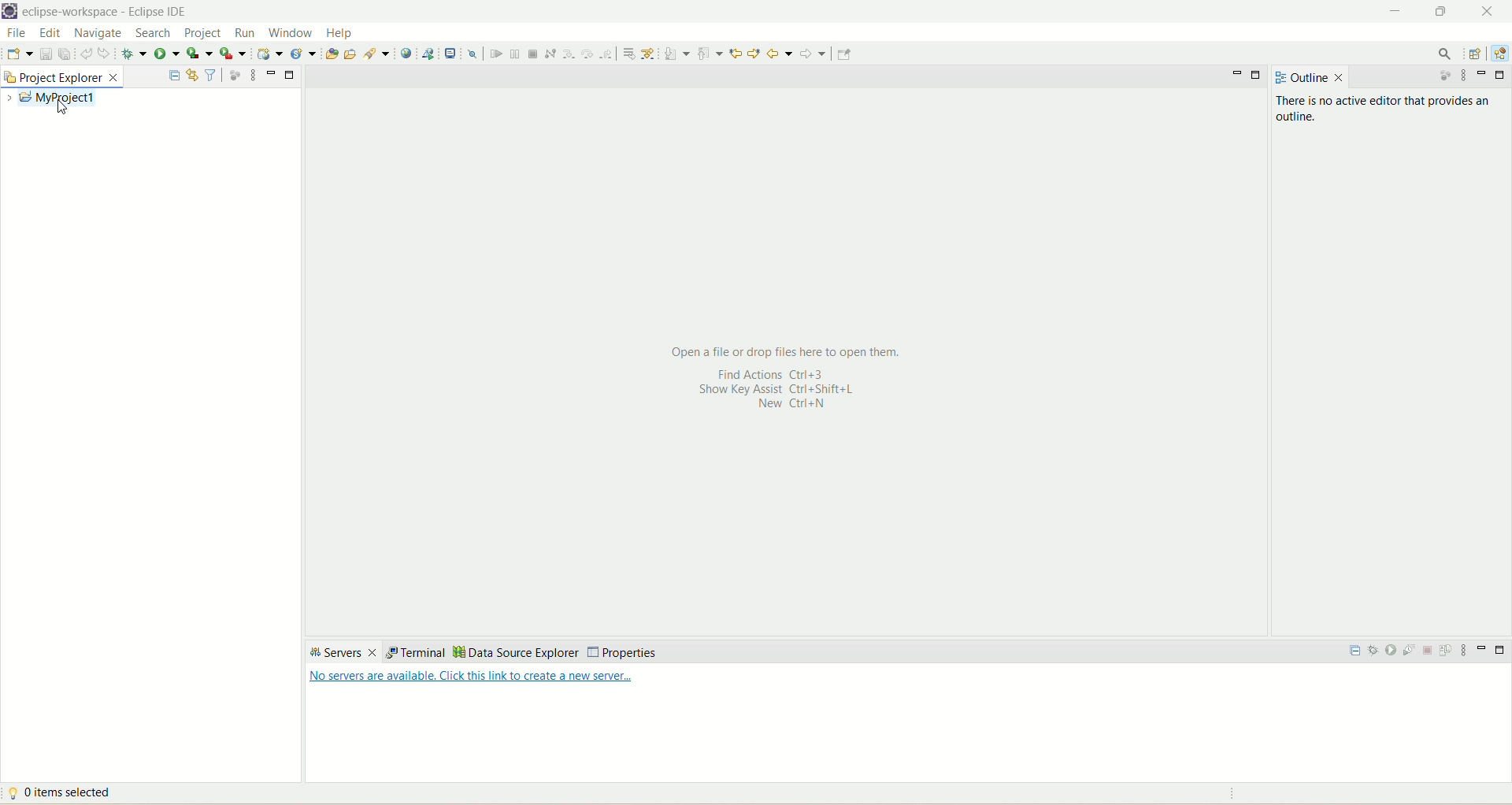 The height and width of the screenshot is (805, 1512). Describe the element at coordinates (153, 33) in the screenshot. I see `search` at that location.